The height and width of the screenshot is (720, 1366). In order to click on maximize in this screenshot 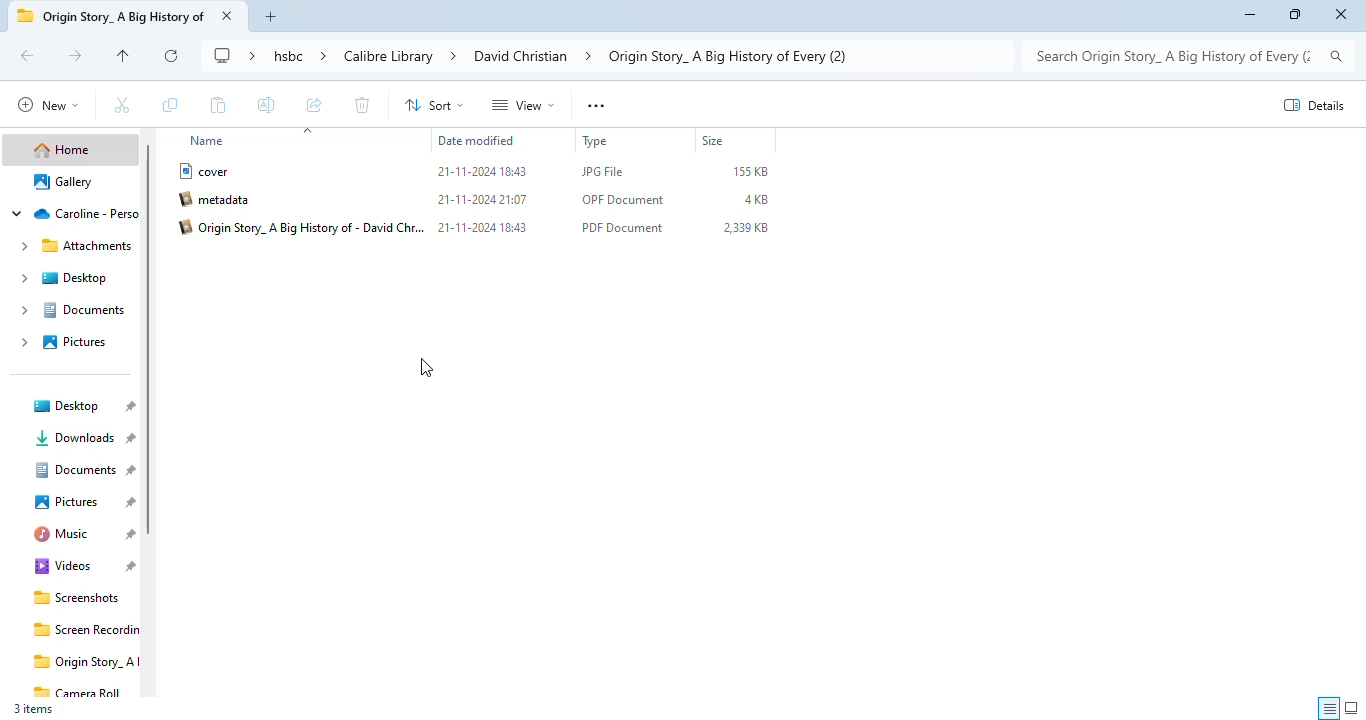, I will do `click(1294, 15)`.